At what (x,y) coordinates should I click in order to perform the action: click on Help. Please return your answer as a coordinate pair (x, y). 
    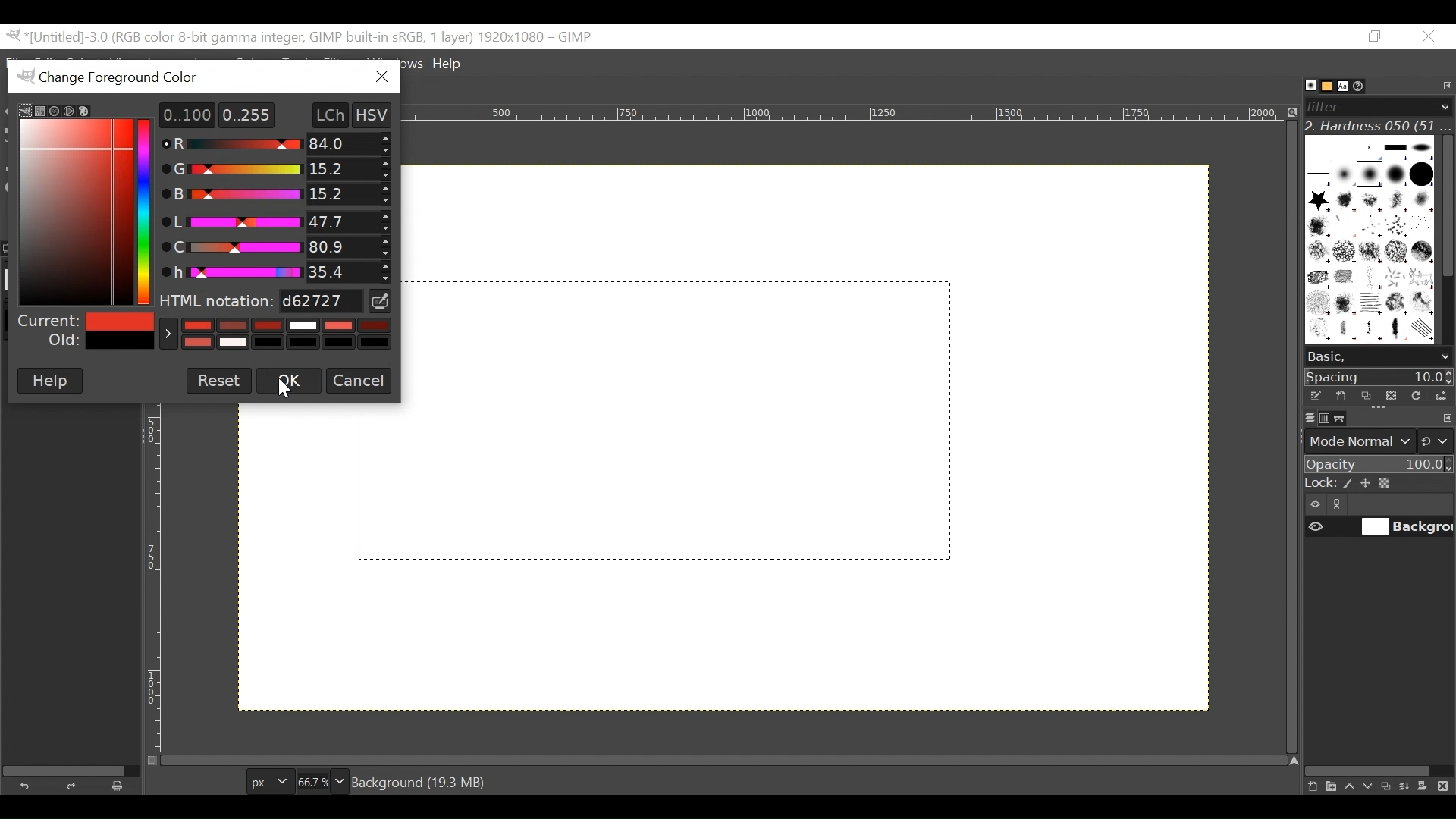
    Looking at the image, I should click on (450, 65).